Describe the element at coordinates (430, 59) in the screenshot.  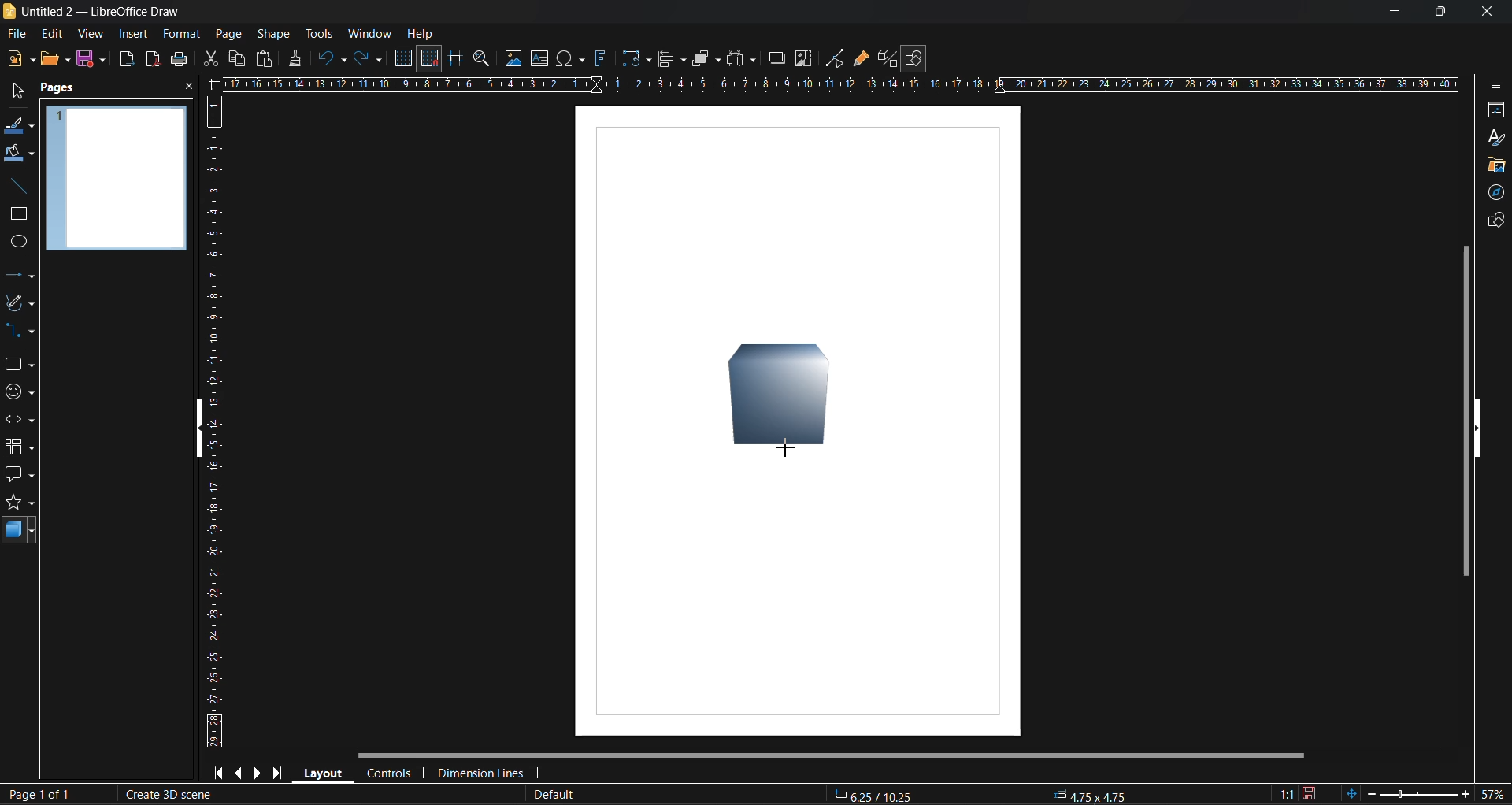
I see `snap to grid` at that location.